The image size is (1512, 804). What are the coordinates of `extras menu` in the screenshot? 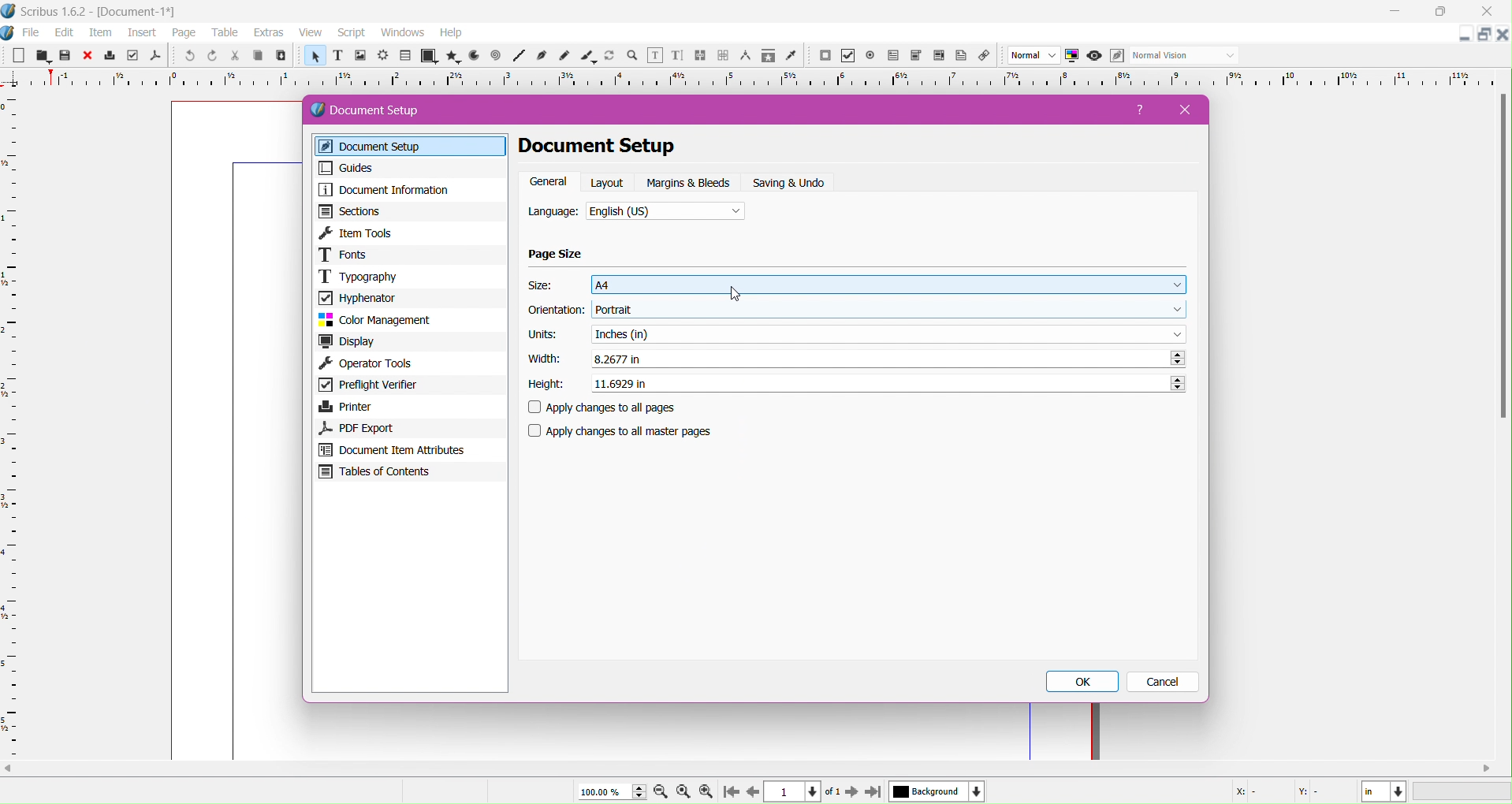 It's located at (270, 33).